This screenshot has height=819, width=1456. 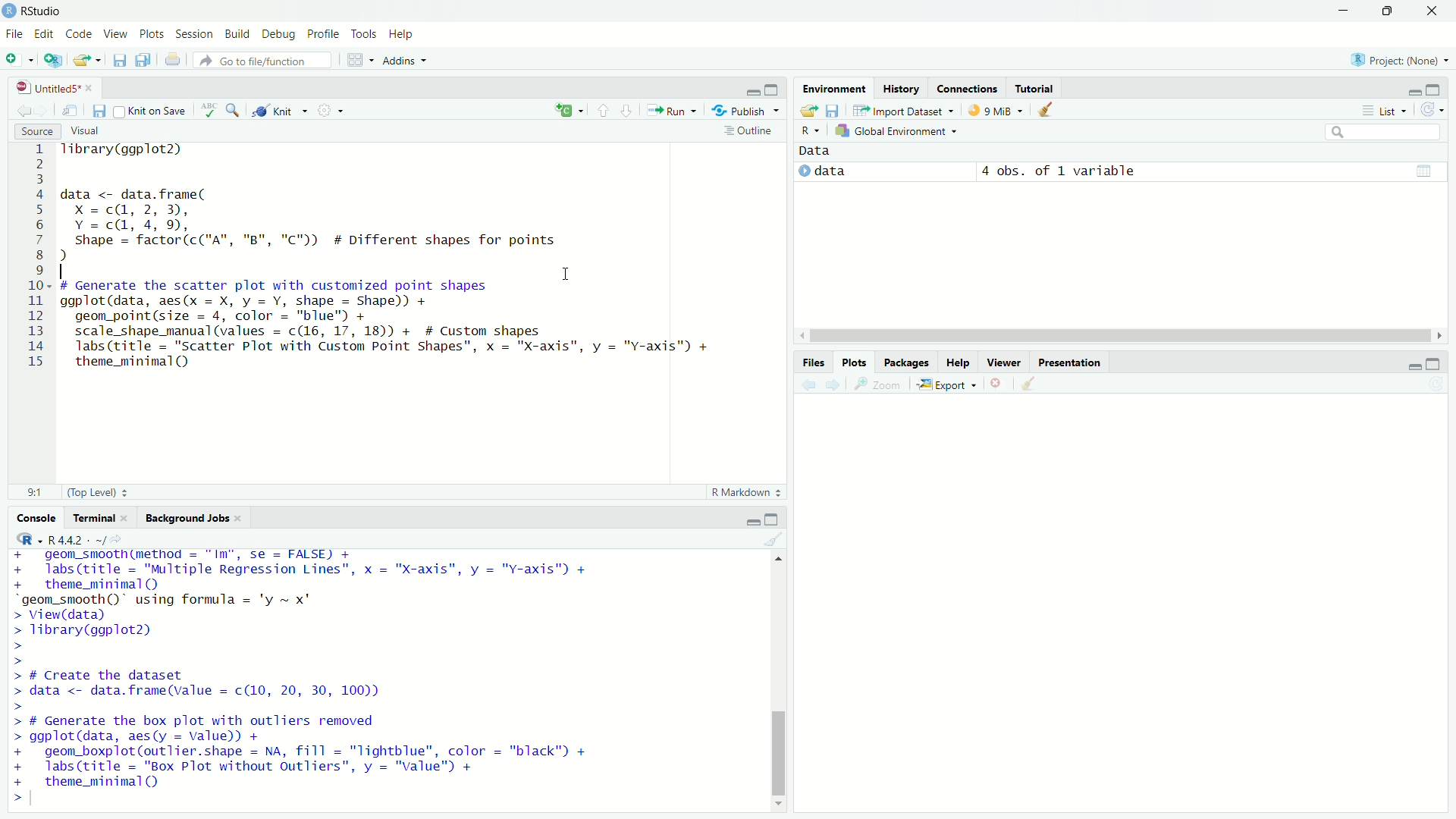 I want to click on horizontal scroll bar, so click(x=1121, y=335).